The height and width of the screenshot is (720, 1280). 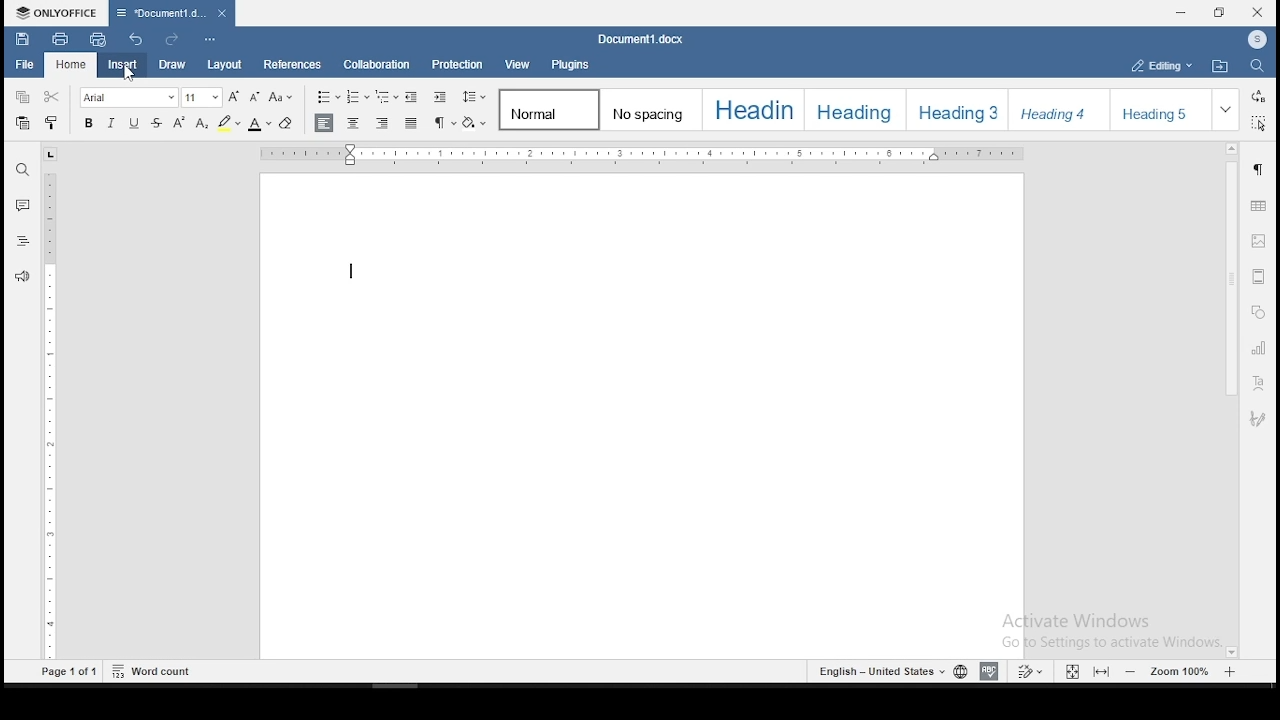 What do you see at coordinates (283, 99) in the screenshot?
I see `change case` at bounding box center [283, 99].